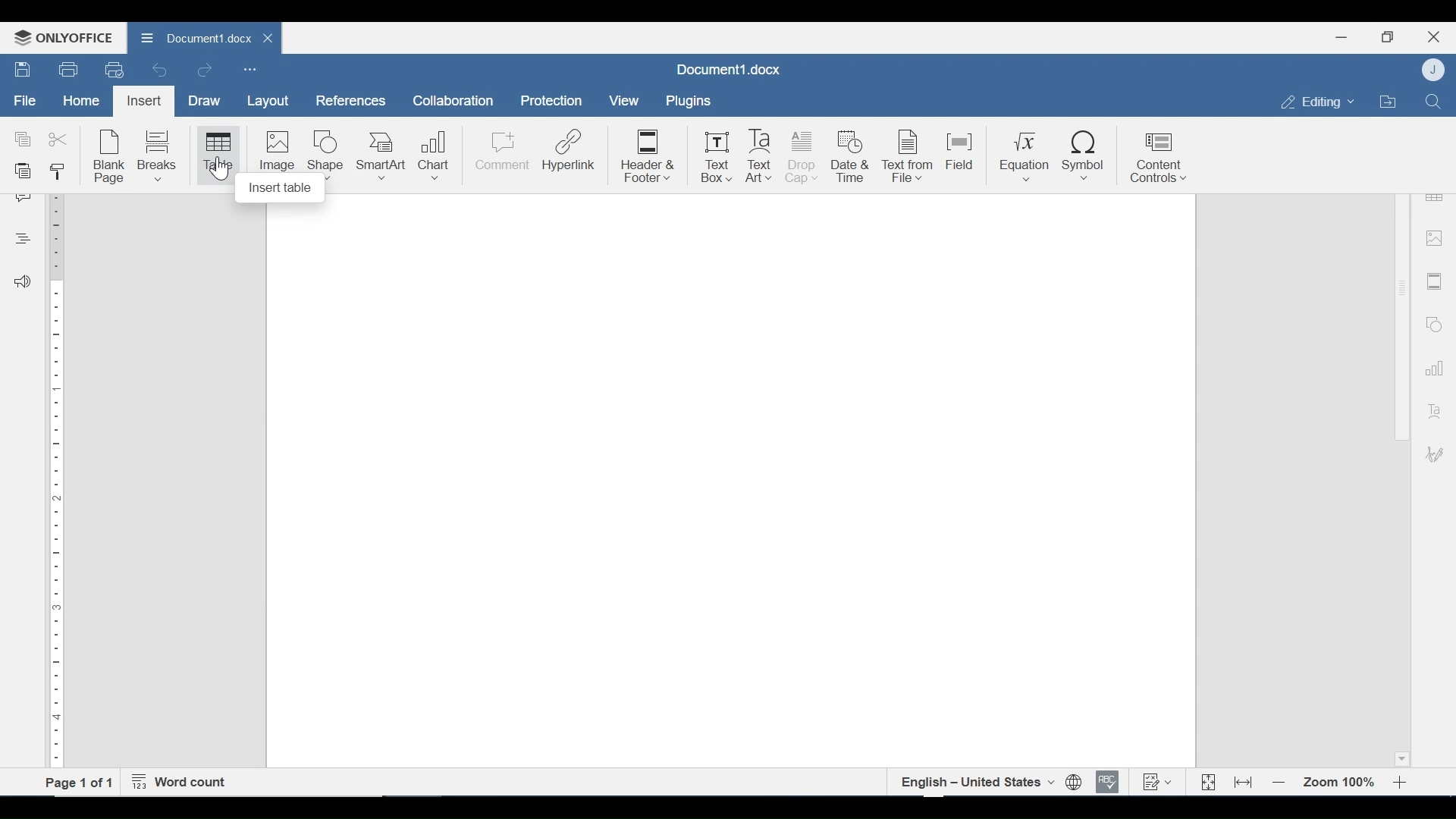 This screenshot has height=819, width=1456. What do you see at coordinates (1341, 36) in the screenshot?
I see `minimize` at bounding box center [1341, 36].